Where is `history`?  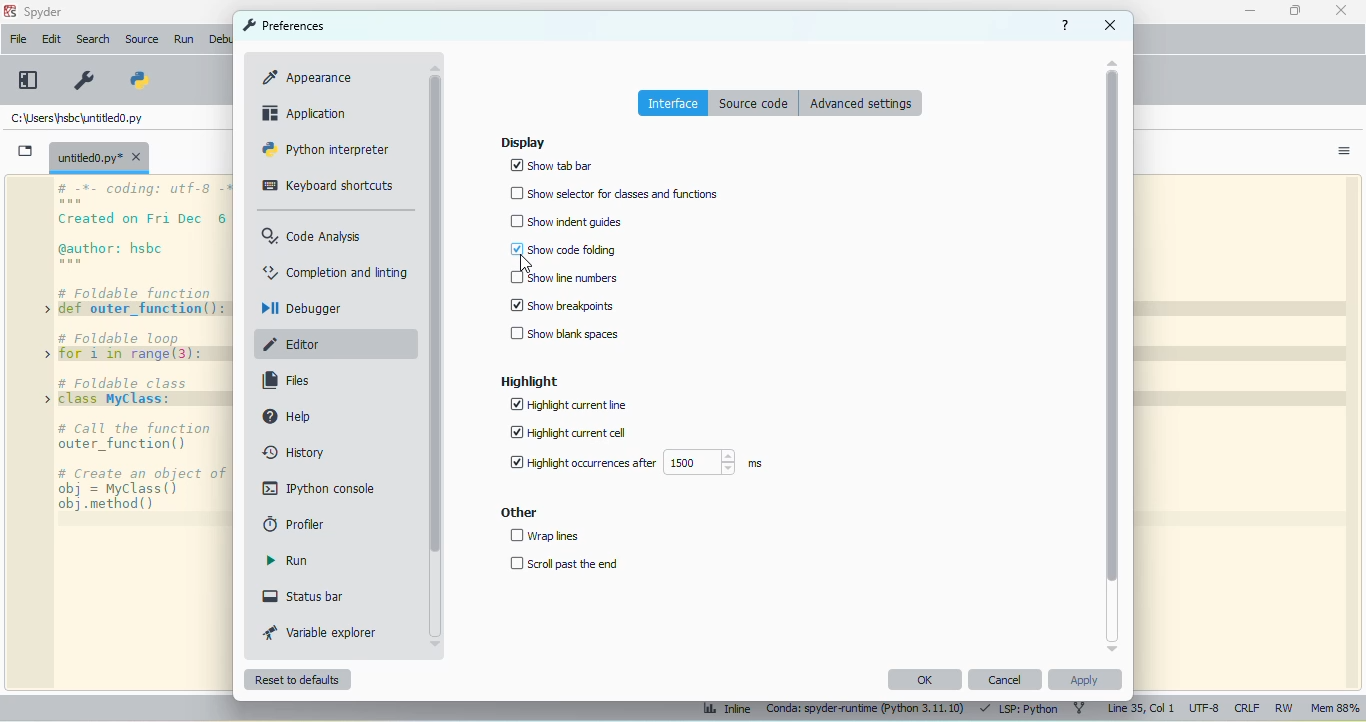 history is located at coordinates (293, 452).